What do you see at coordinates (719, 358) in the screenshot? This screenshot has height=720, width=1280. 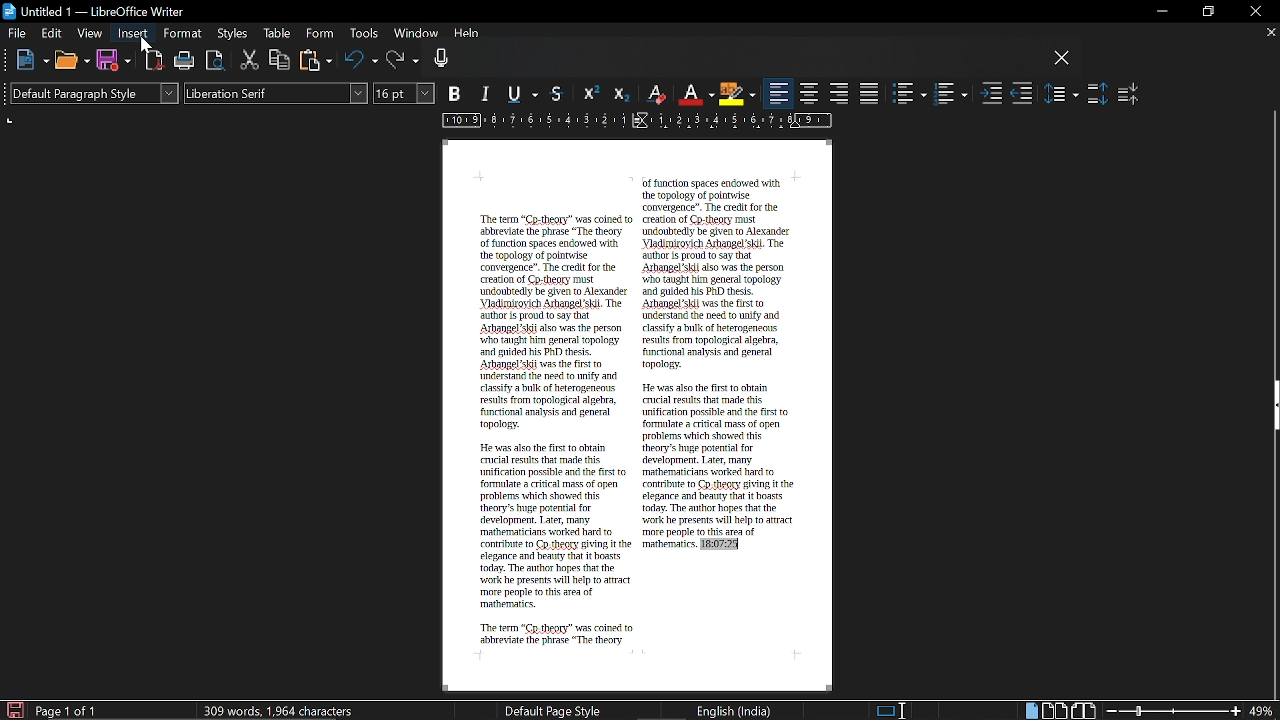 I see `of function spaces endowed with the topology of pointwise convergence". The credit for the creation of Cp theory must undoubtedly be given to Alexander Vladimirovich Arbangel'skil. The author is proud to say that Arbangel'skii also was the person who taught him general topology and guided his PhD thesis. Arbangel'skil was the first to understand the need to unify and classify a bulk of herogeneous results from topological algebra, functional analysis and general topology.  He was also the first to obtain crucial results that made this unification possible and the first to formulate a critical mass of open problems which showed this theory's huge potential for development. Later, many mathematicians worked hard to contribute to Co theory giving it the elegance and beauty that it boasts today. The author hopes that the work he presents will help to attract more people to this area of ` at bounding box center [719, 358].